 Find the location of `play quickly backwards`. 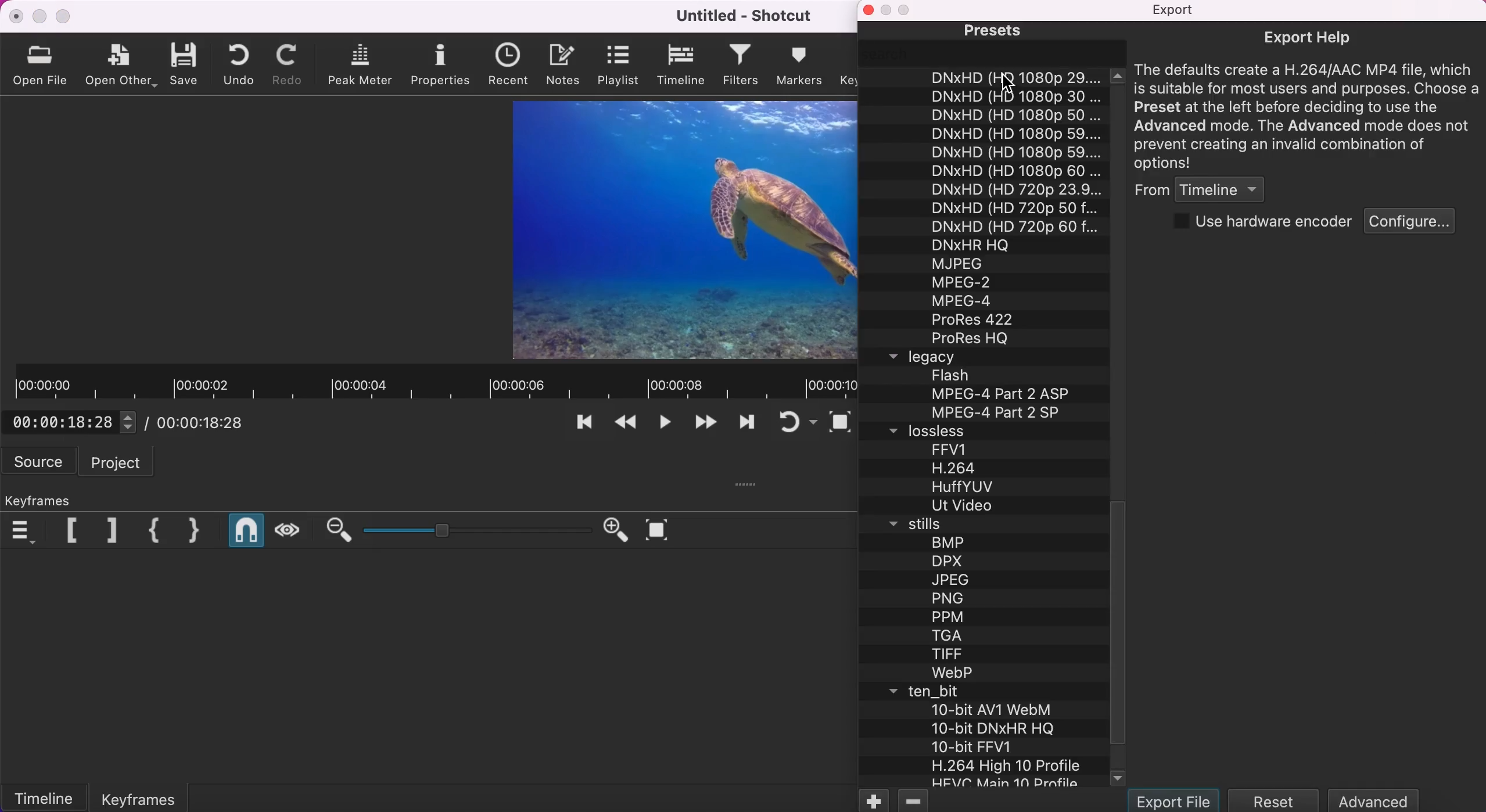

play quickly backwards is located at coordinates (627, 425).